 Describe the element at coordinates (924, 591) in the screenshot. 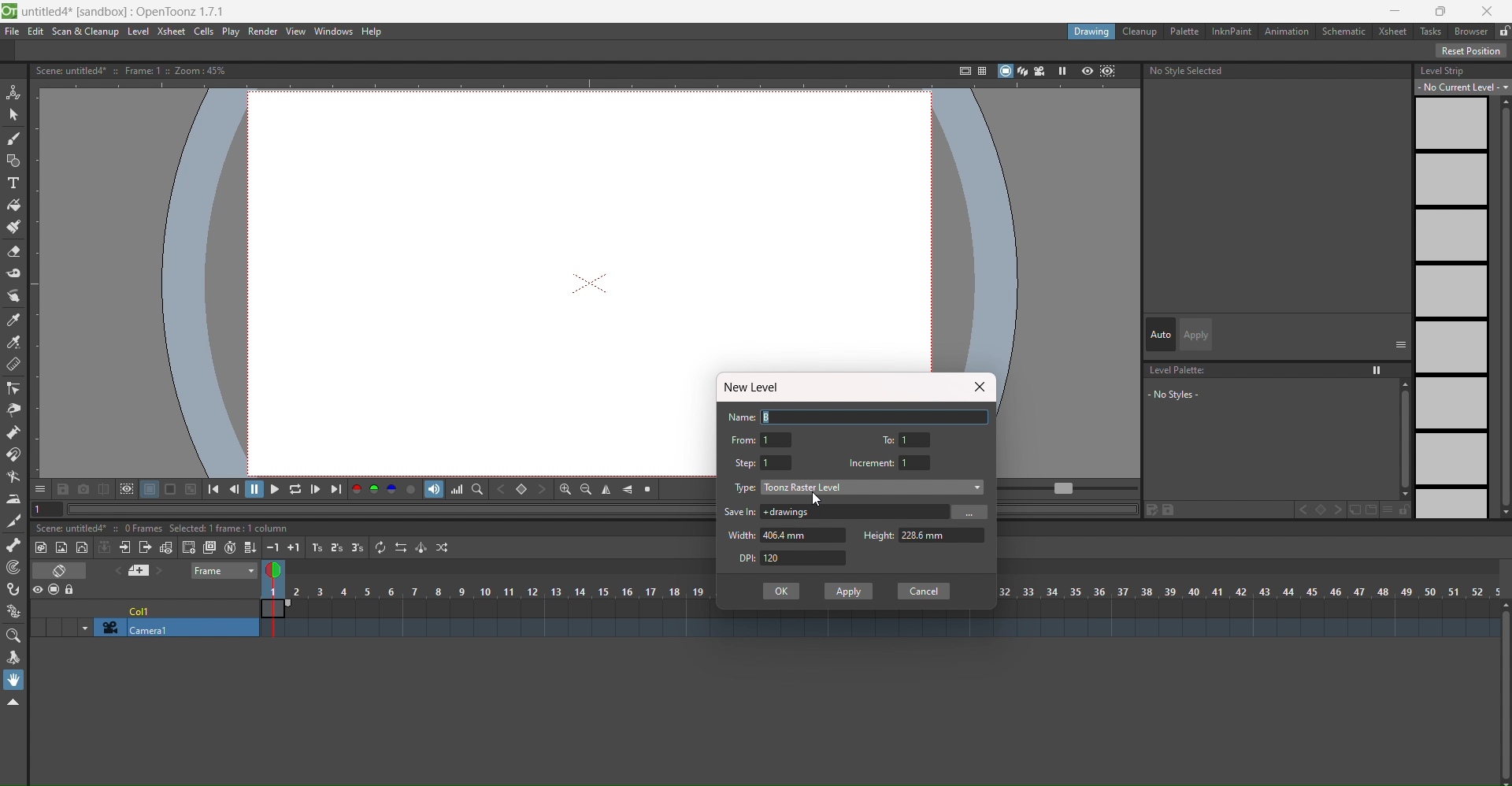

I see `cancel` at that location.